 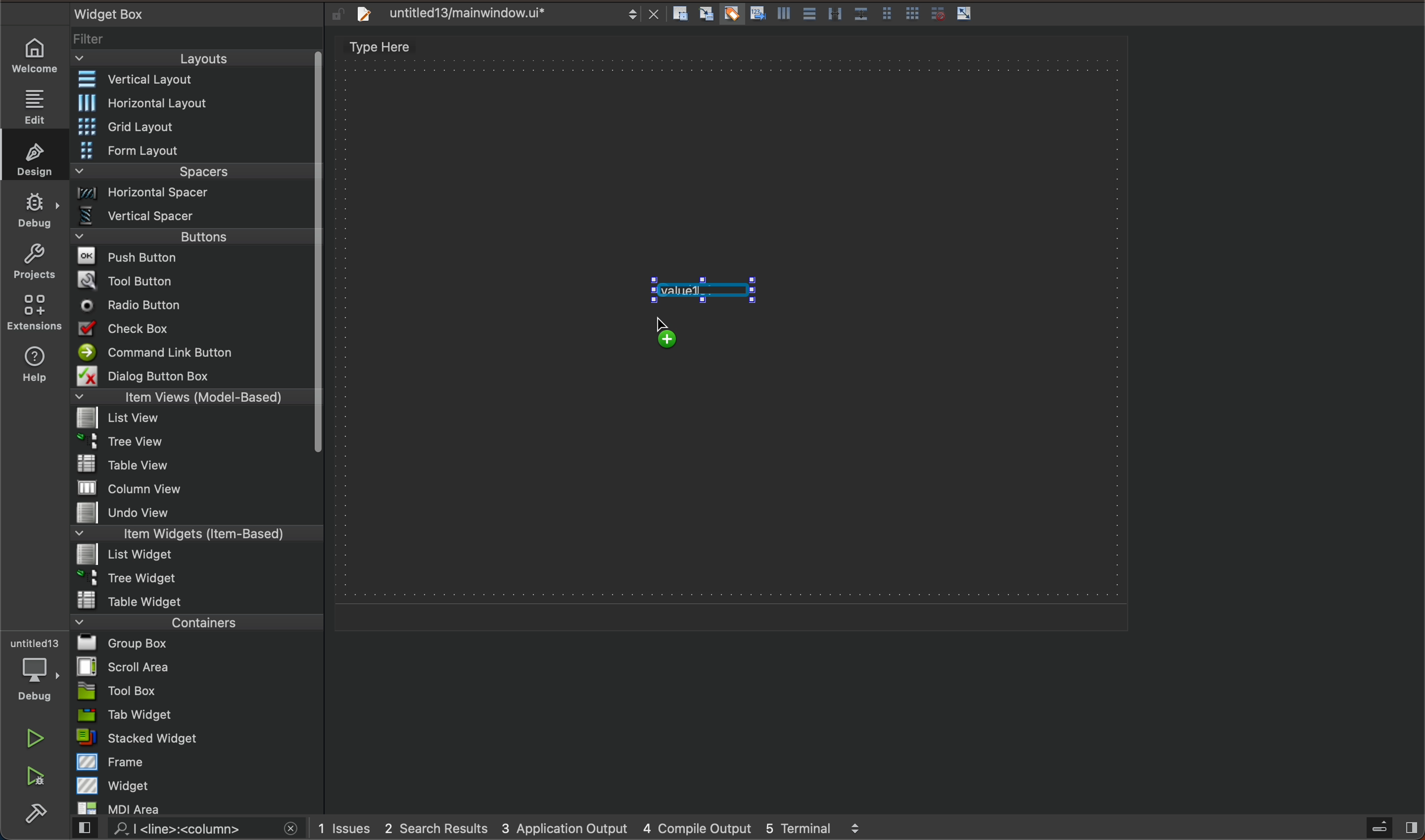 I want to click on search, so click(x=183, y=829).